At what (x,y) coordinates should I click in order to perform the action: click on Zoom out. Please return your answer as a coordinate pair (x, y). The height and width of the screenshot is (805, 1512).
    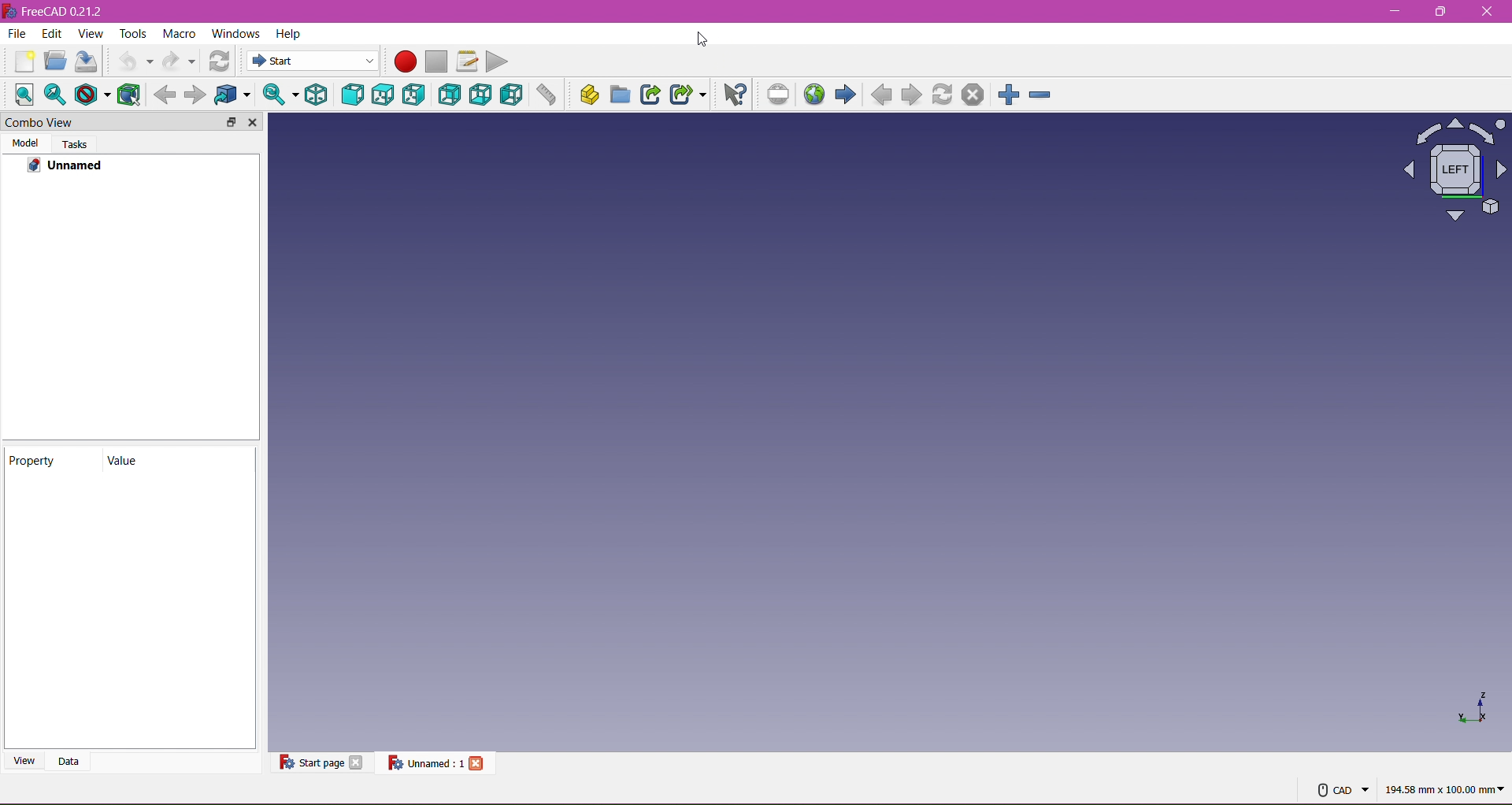
    Looking at the image, I should click on (1040, 95).